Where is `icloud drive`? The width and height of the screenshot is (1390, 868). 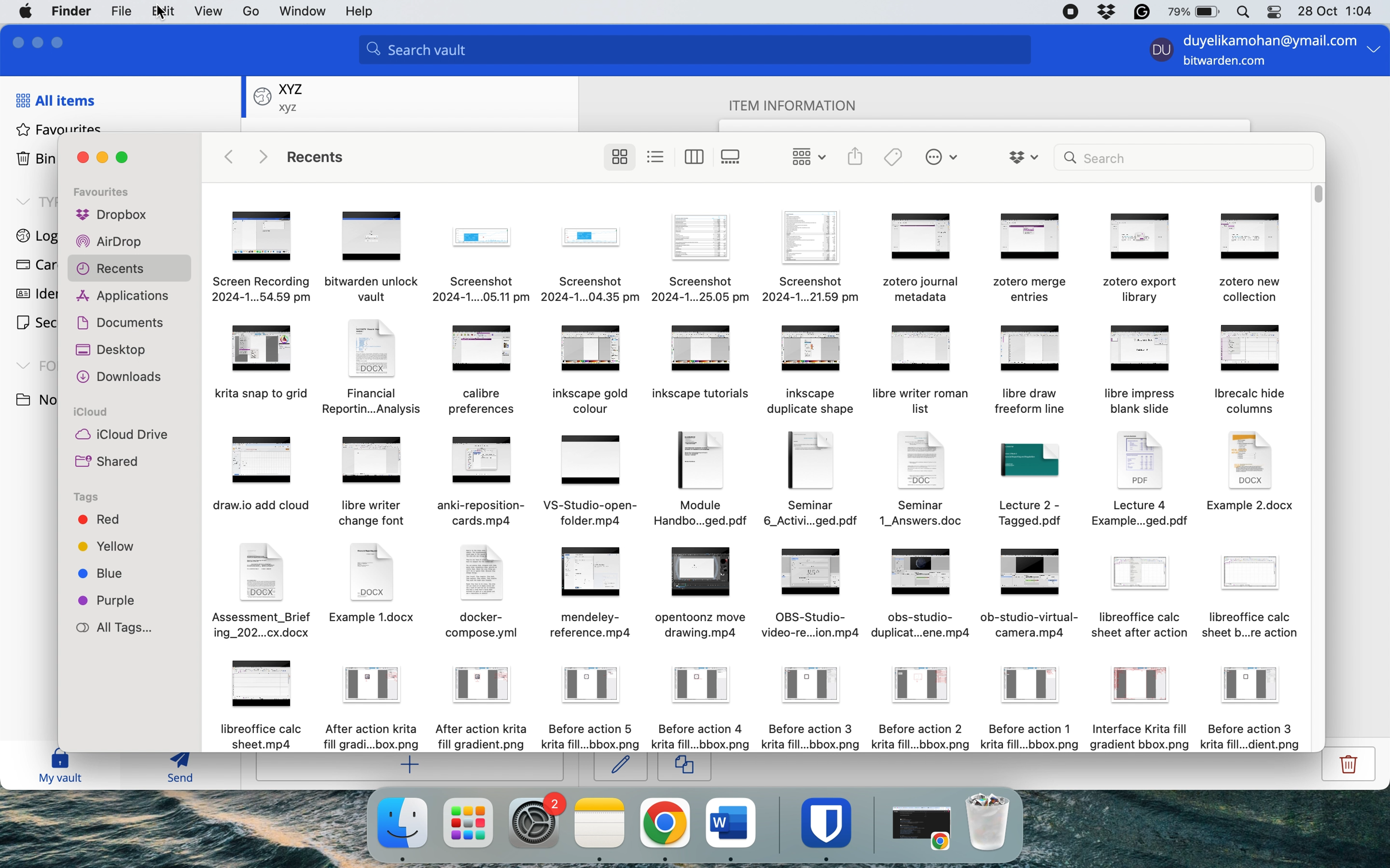 icloud drive is located at coordinates (121, 436).